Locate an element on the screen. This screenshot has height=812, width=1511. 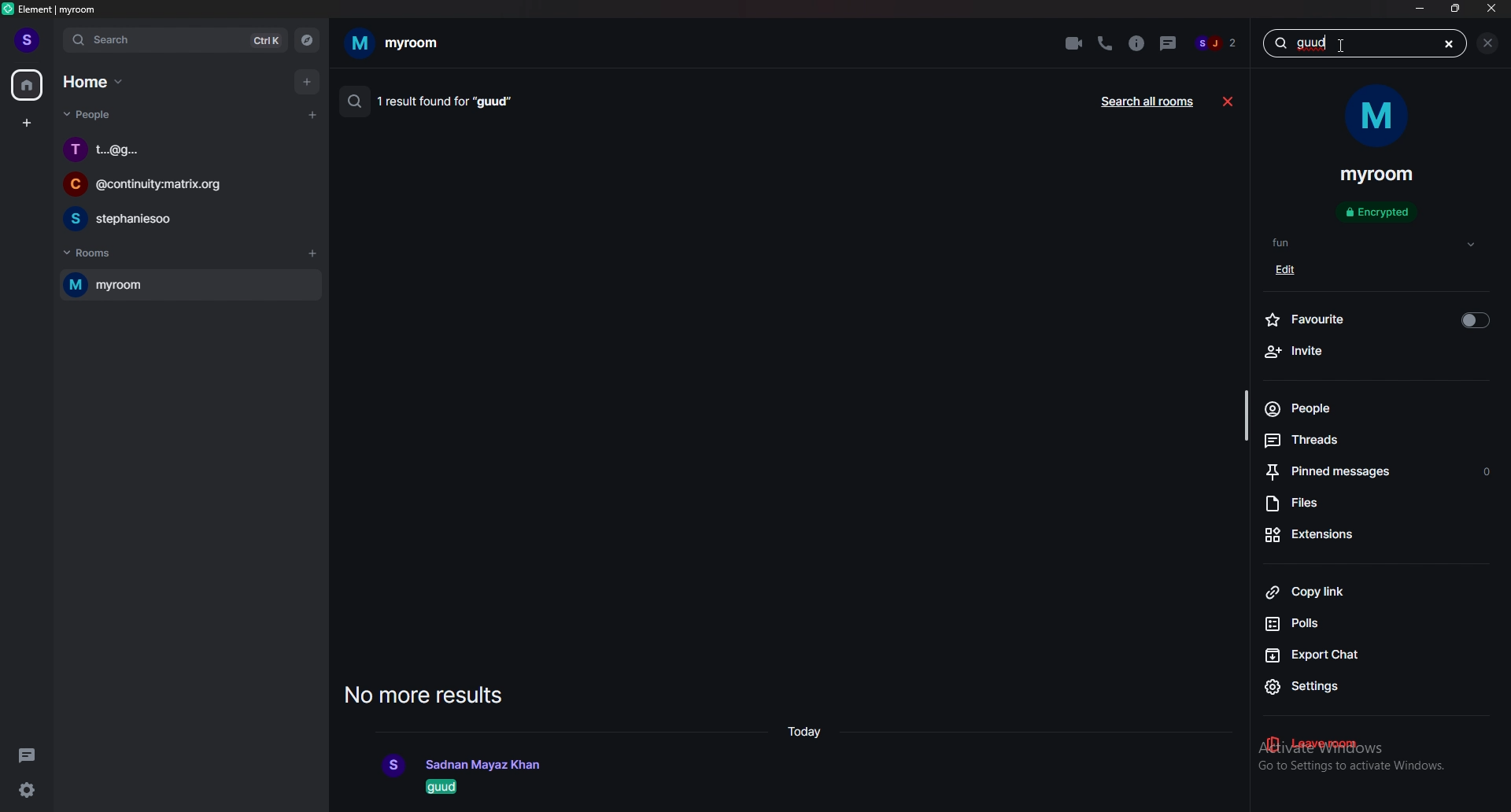
element is located at coordinates (62, 10).